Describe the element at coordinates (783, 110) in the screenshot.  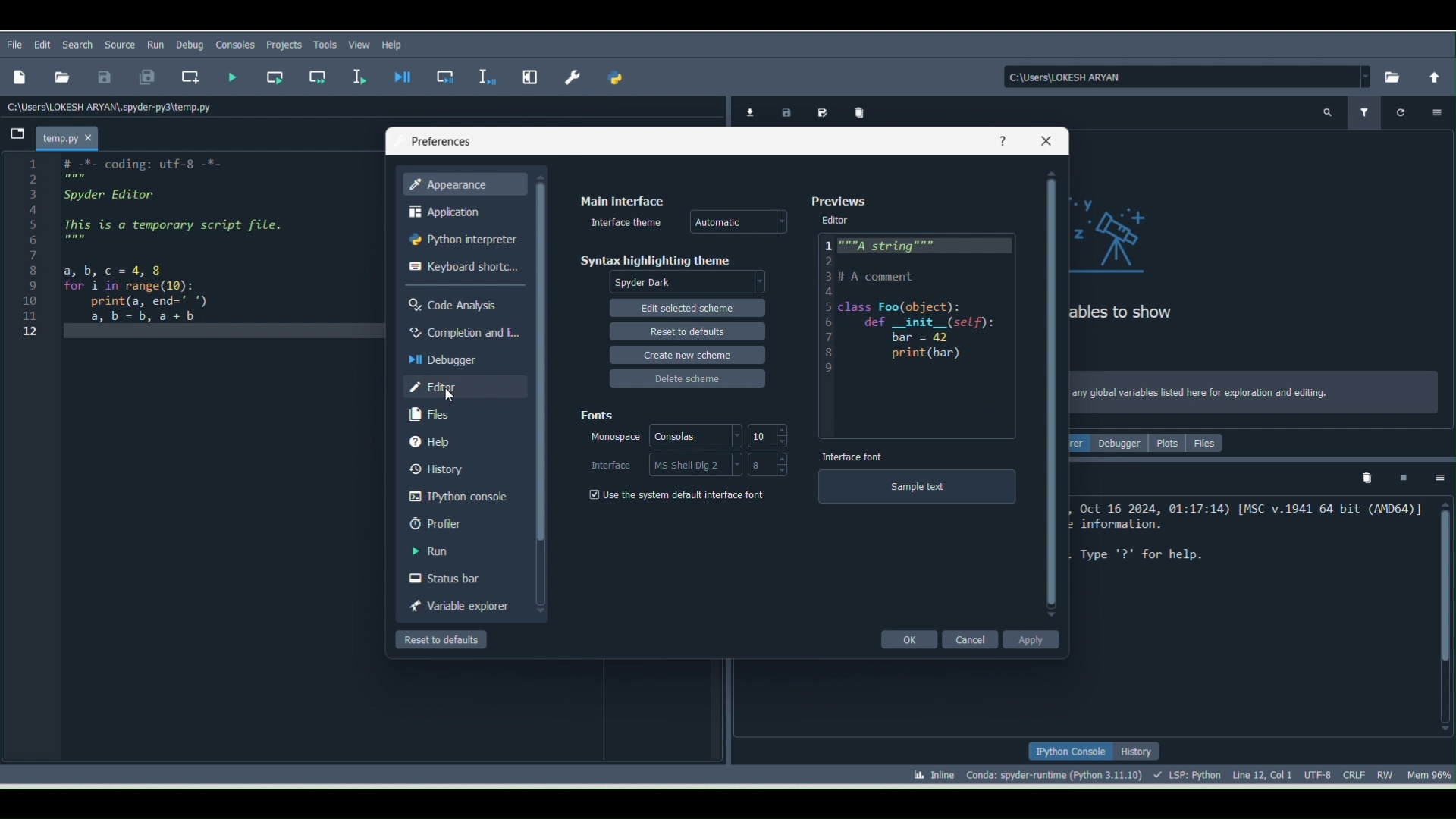
I see `Save data` at that location.